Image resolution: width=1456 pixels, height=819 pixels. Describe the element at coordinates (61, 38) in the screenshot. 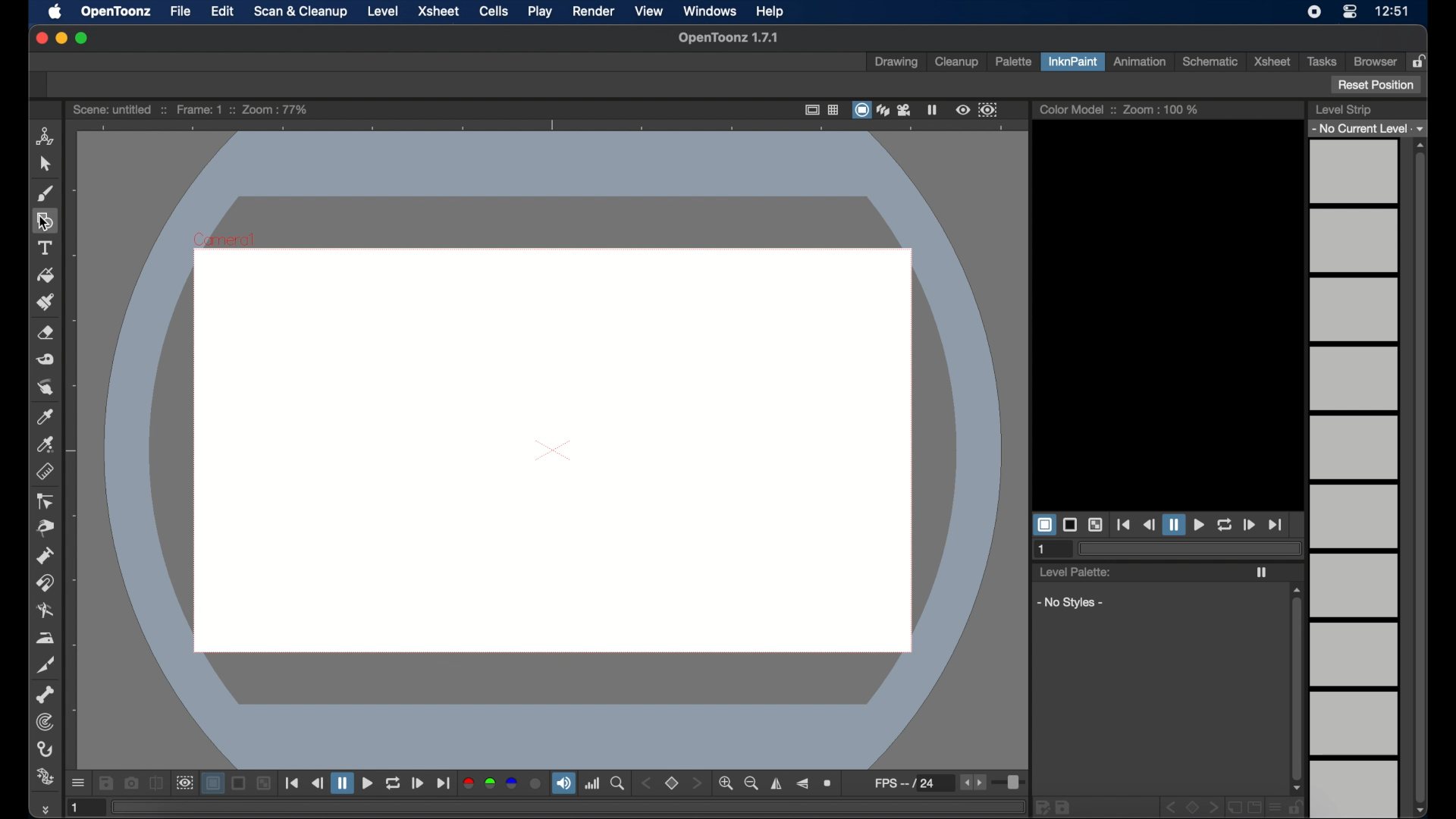

I see `minimize` at that location.